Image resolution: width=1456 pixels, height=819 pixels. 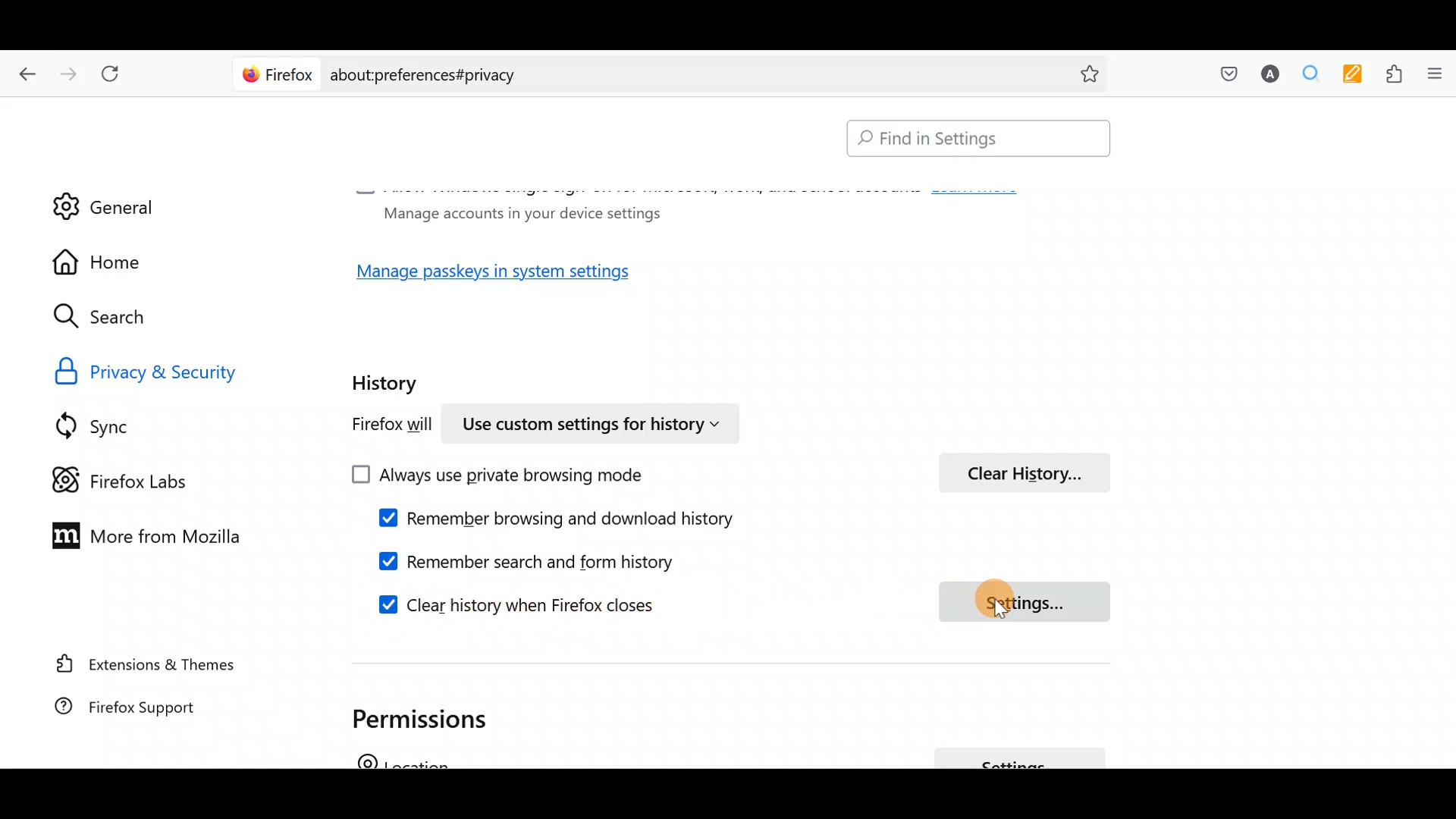 I want to click on Go back one page, so click(x=24, y=72).